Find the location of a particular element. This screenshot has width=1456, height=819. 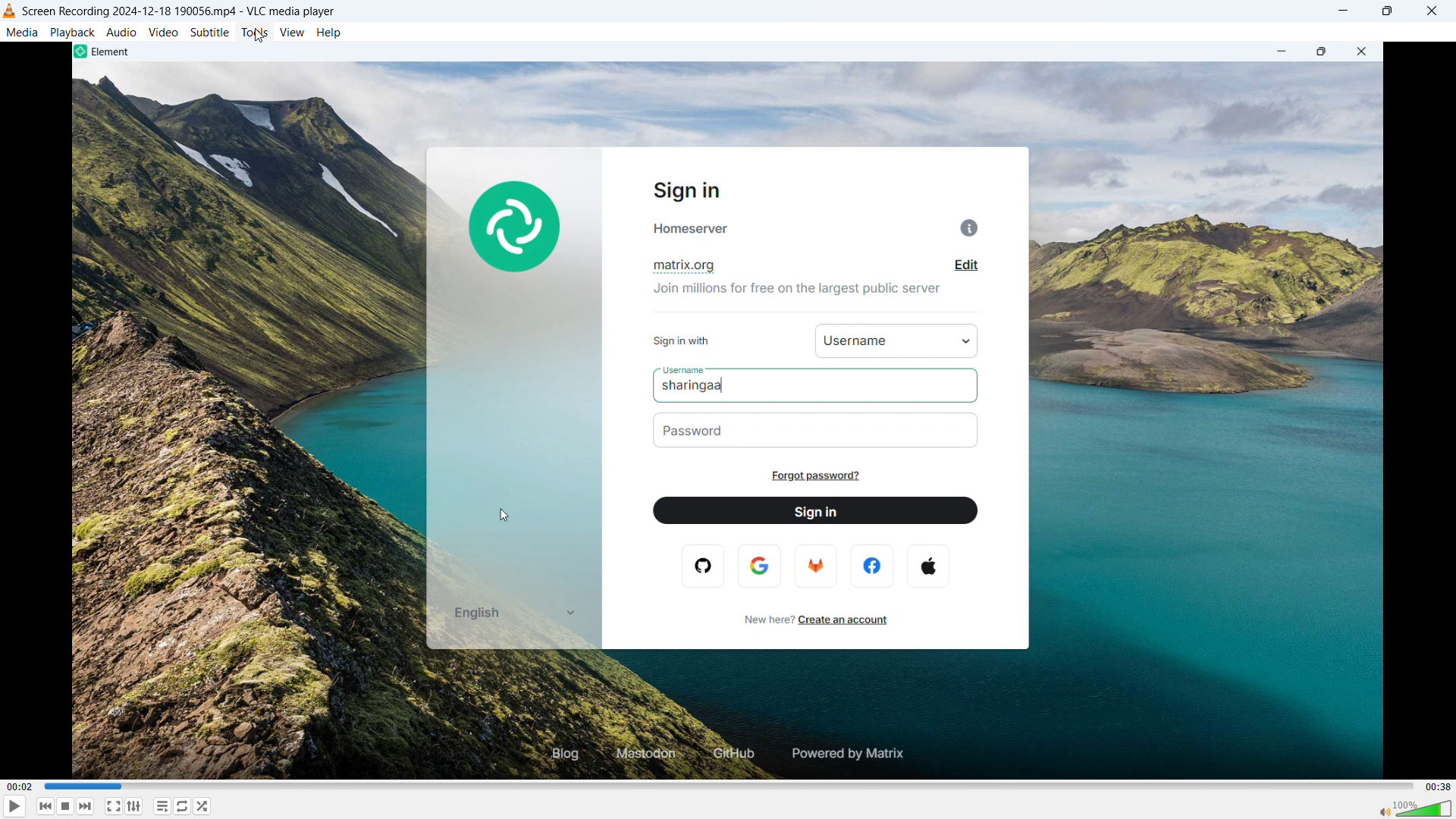

vlc media player logo is located at coordinates (10, 11).